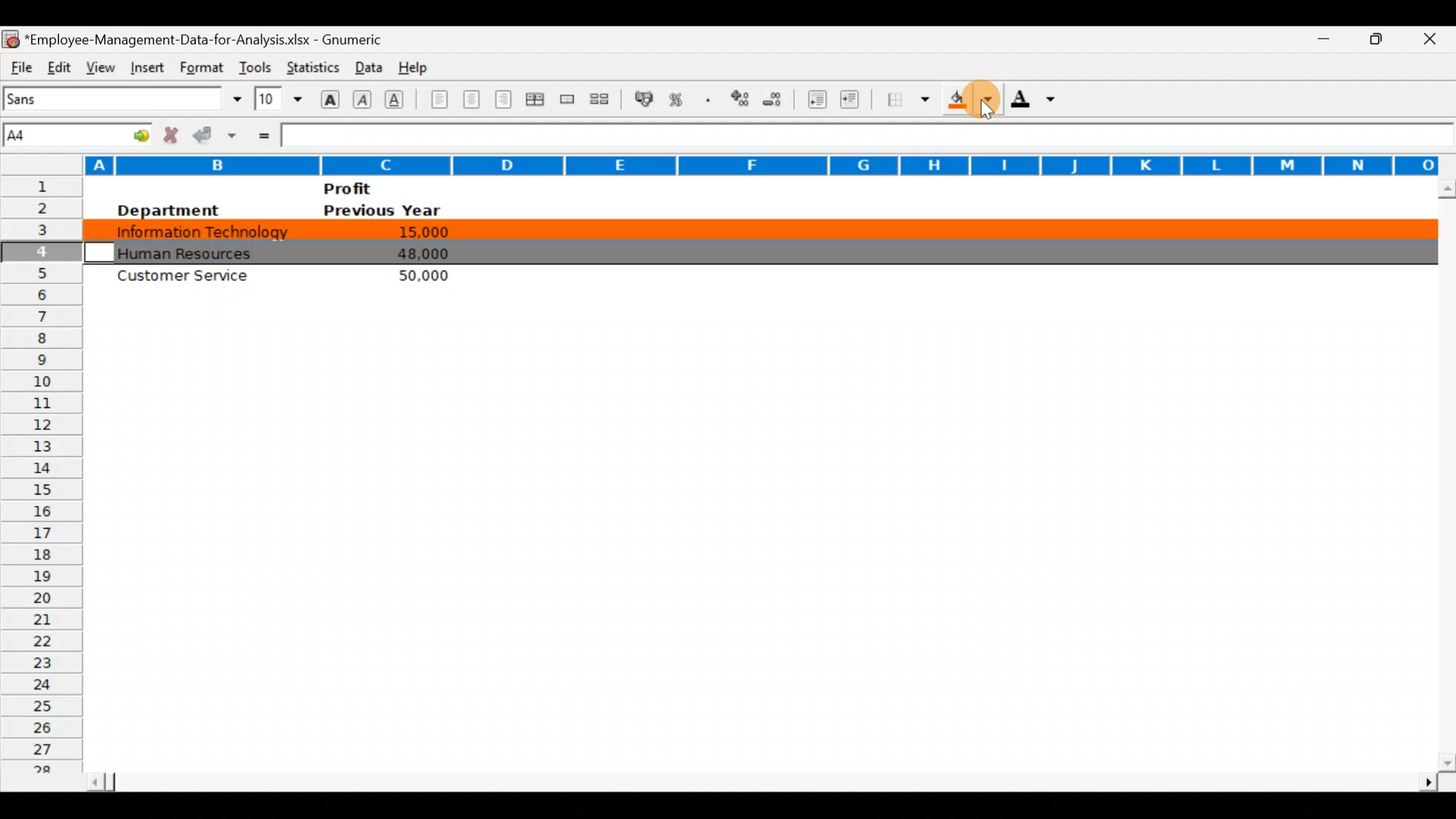  Describe the element at coordinates (417, 275) in the screenshot. I see `50,000` at that location.